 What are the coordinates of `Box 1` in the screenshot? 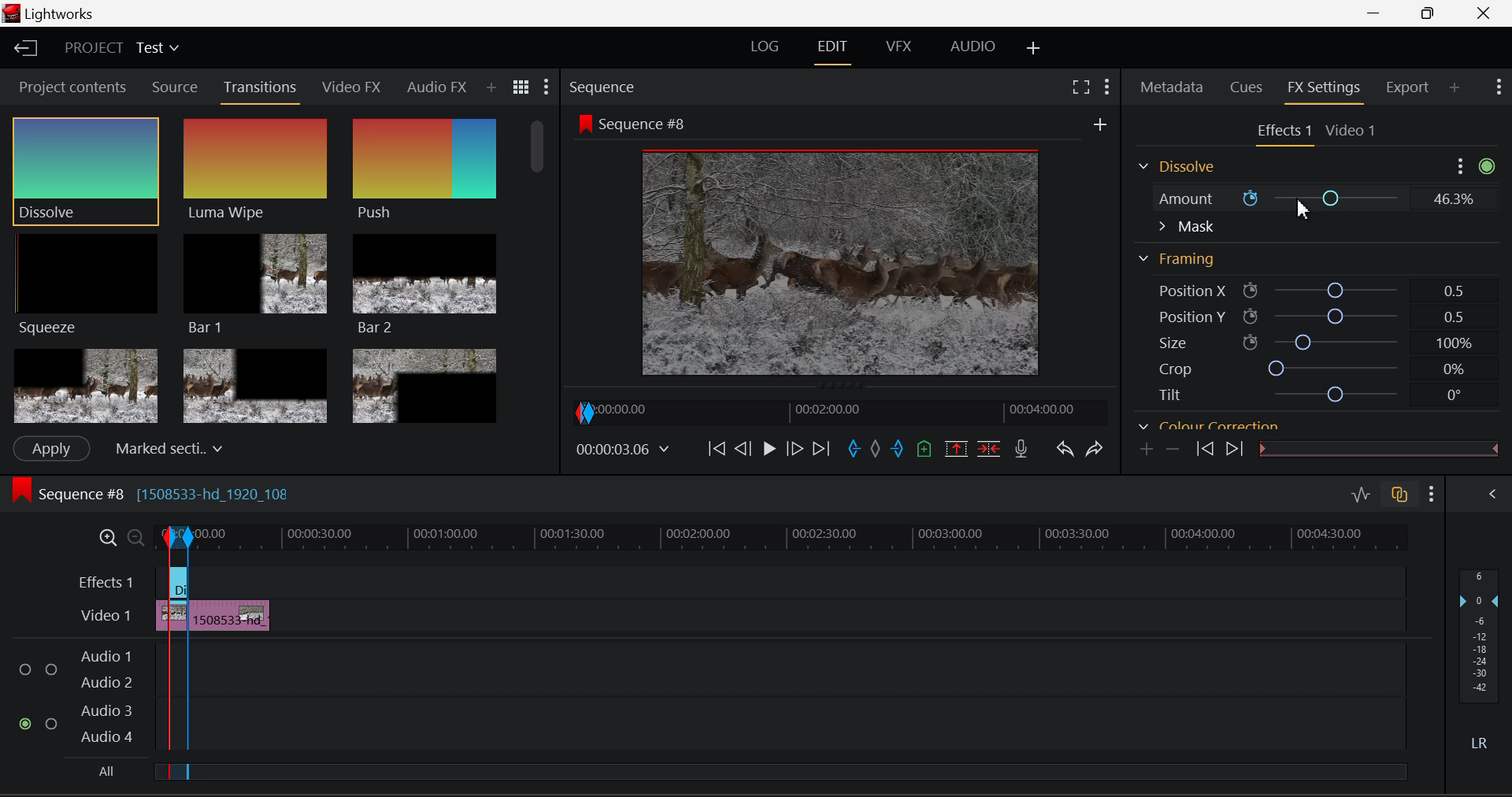 It's located at (84, 387).